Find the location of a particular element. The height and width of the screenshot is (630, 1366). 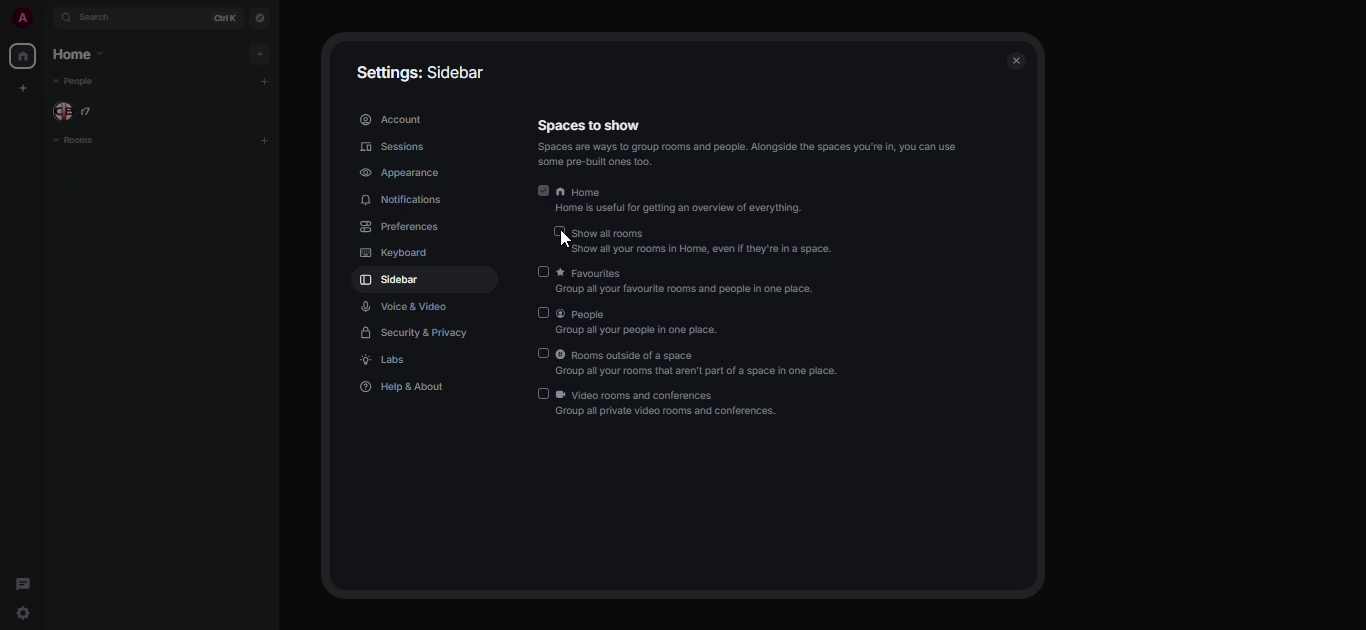

create space is located at coordinates (22, 88).